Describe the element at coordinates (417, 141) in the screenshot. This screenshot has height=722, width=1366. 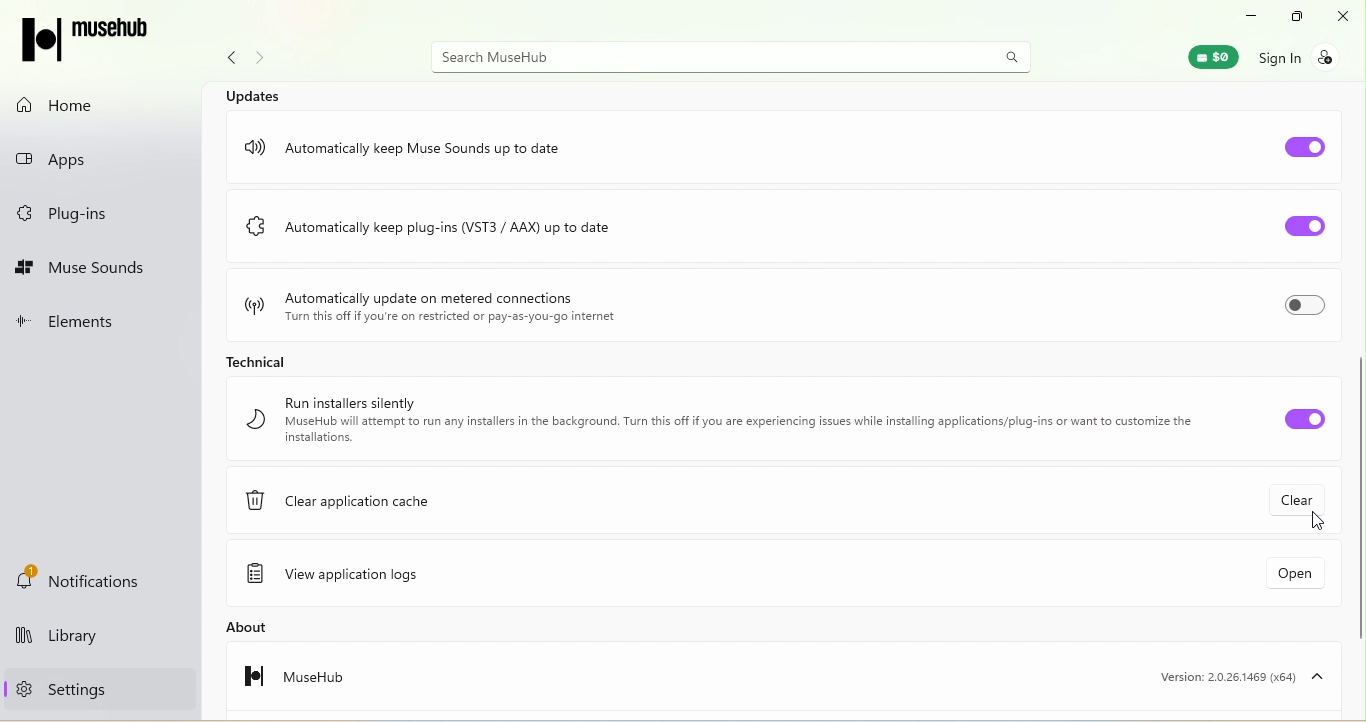
I see `Automatically keep muse sounds up to date` at that location.